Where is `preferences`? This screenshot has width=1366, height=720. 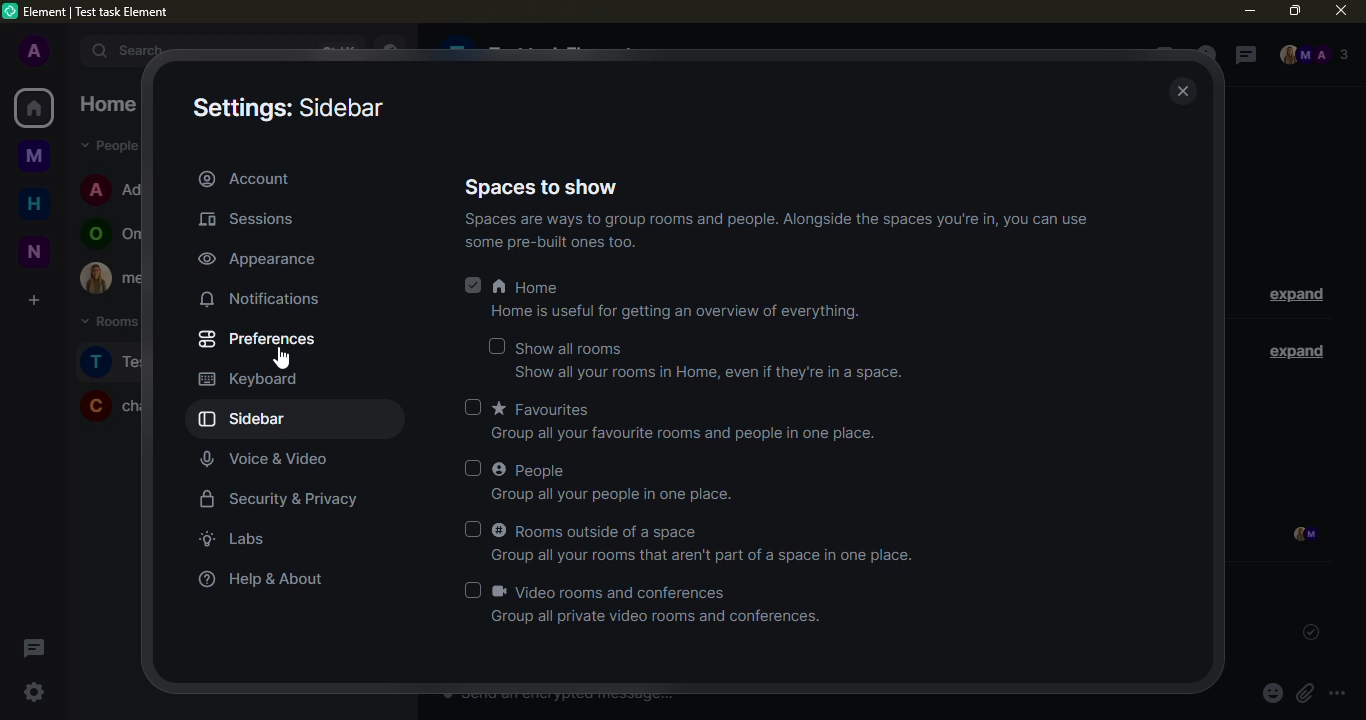 preferences is located at coordinates (261, 339).